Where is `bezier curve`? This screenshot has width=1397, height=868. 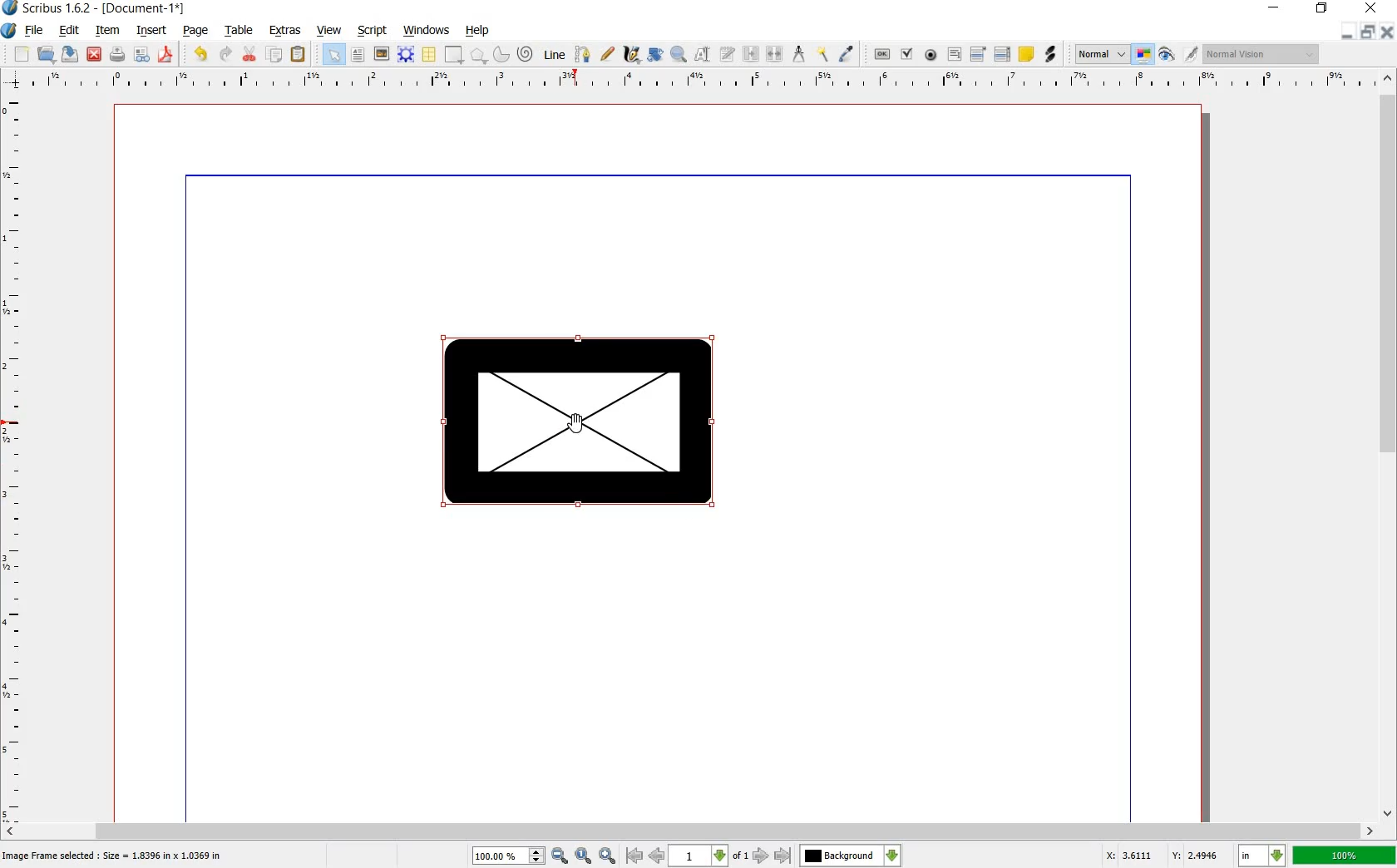 bezier curve is located at coordinates (580, 55).